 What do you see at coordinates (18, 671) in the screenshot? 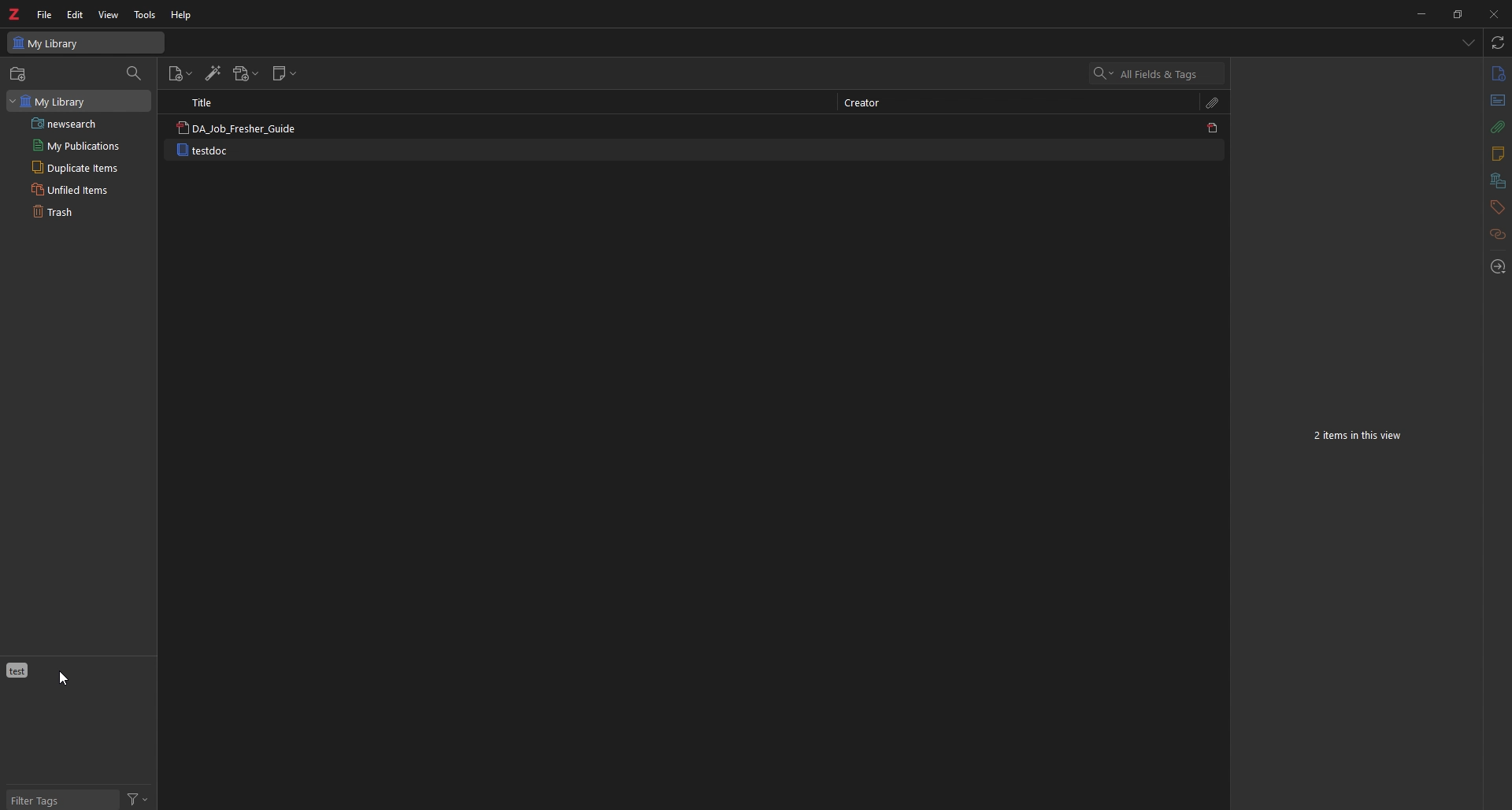
I see `test` at bounding box center [18, 671].